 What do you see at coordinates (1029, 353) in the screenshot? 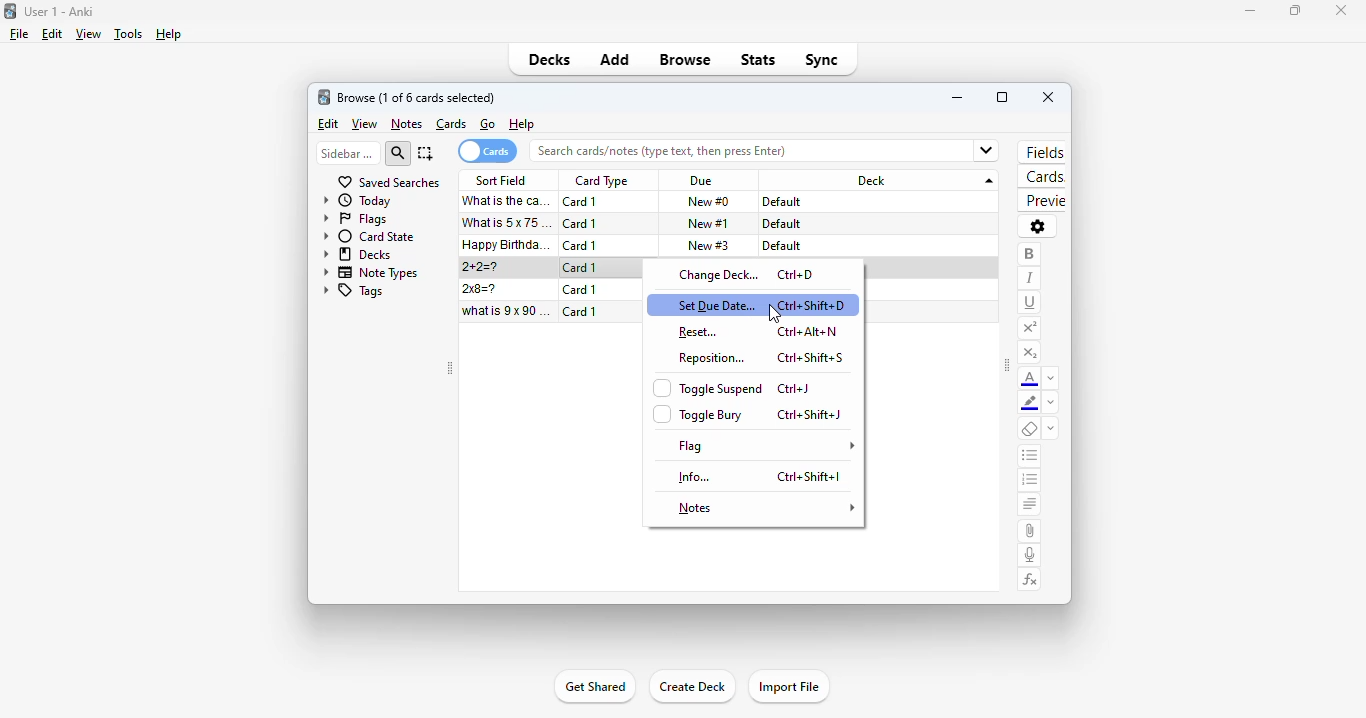
I see `subscript` at bounding box center [1029, 353].